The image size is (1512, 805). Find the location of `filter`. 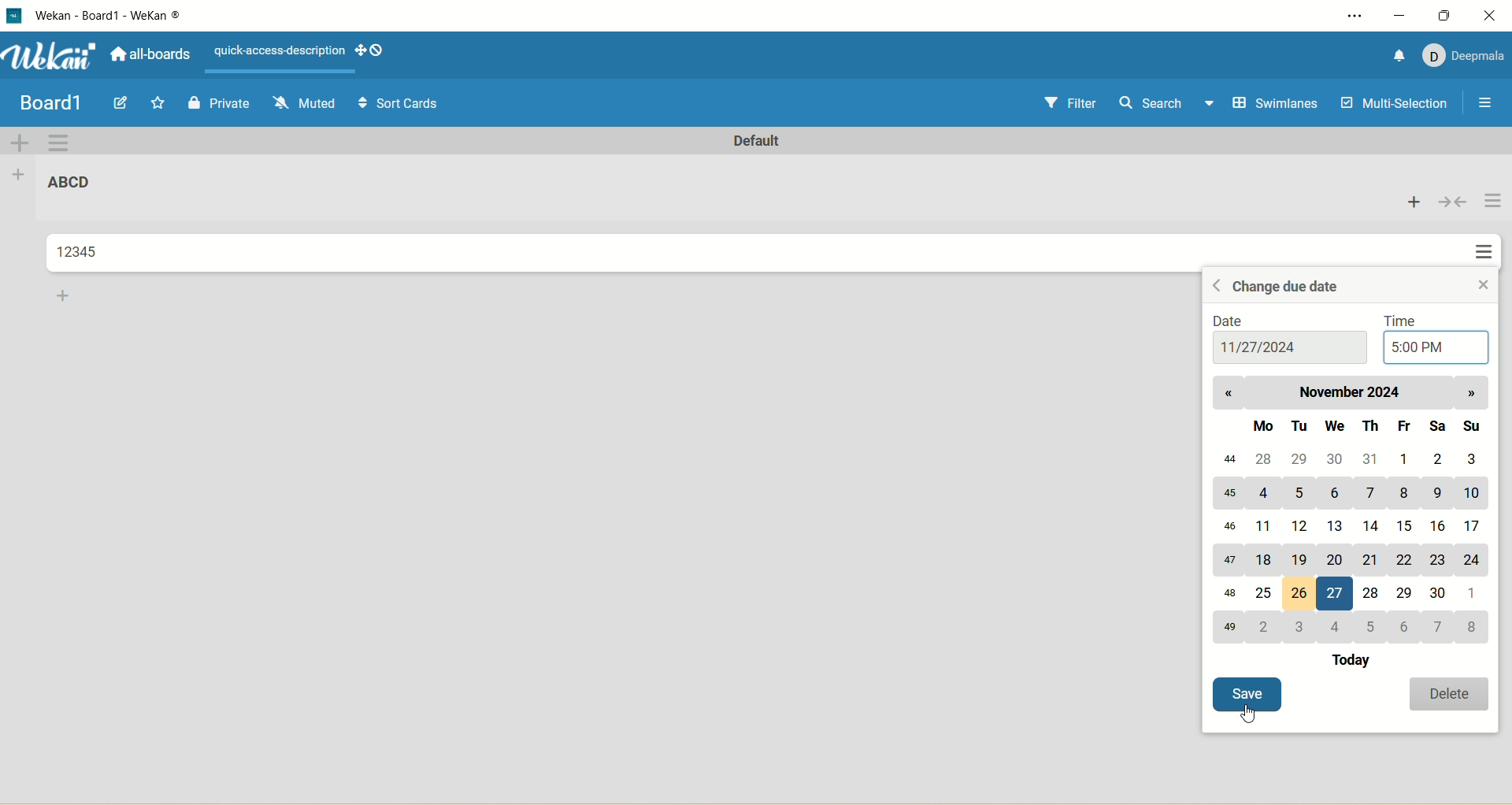

filter is located at coordinates (1074, 104).